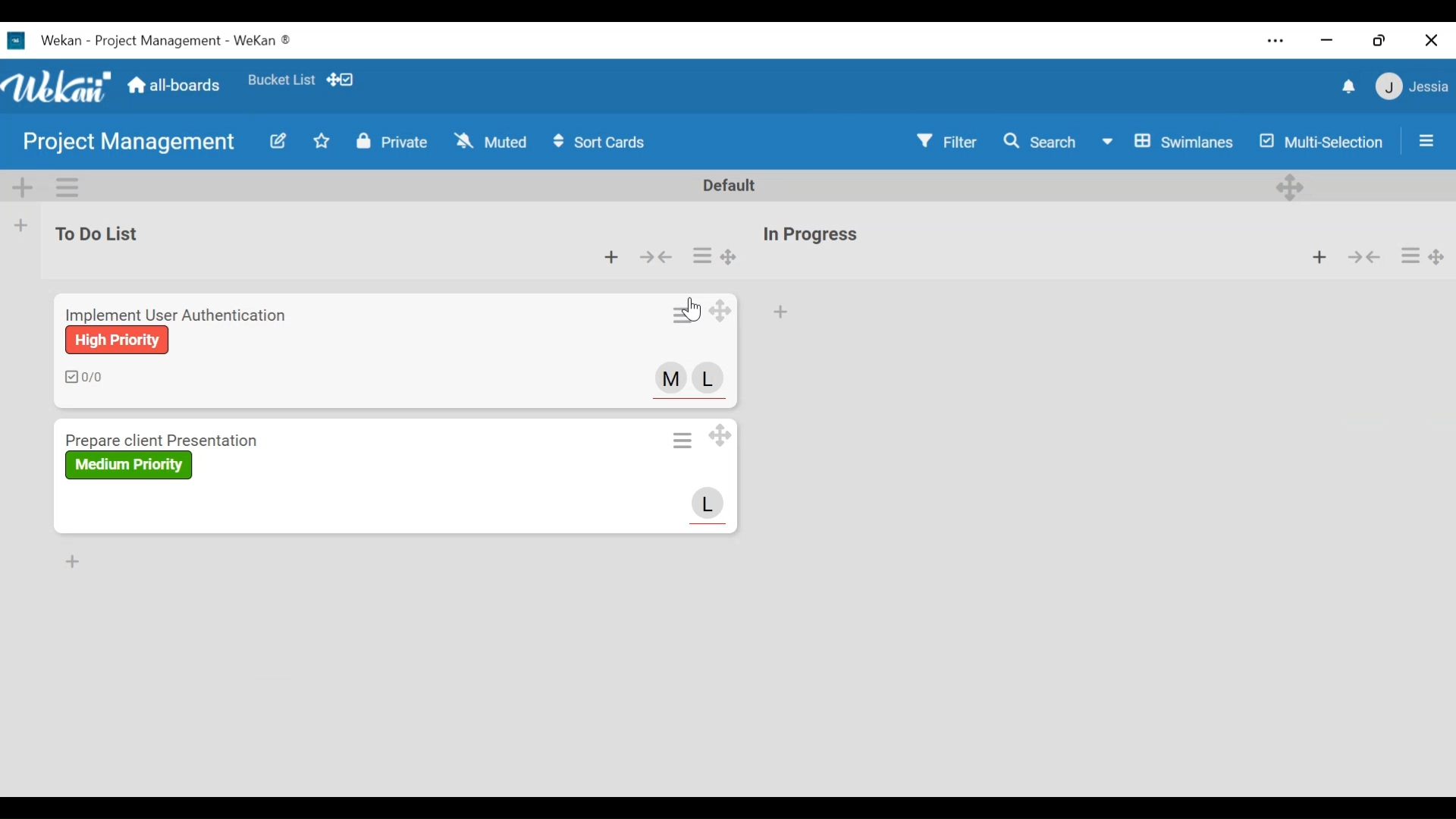  Describe the element at coordinates (682, 441) in the screenshot. I see `card actions` at that location.